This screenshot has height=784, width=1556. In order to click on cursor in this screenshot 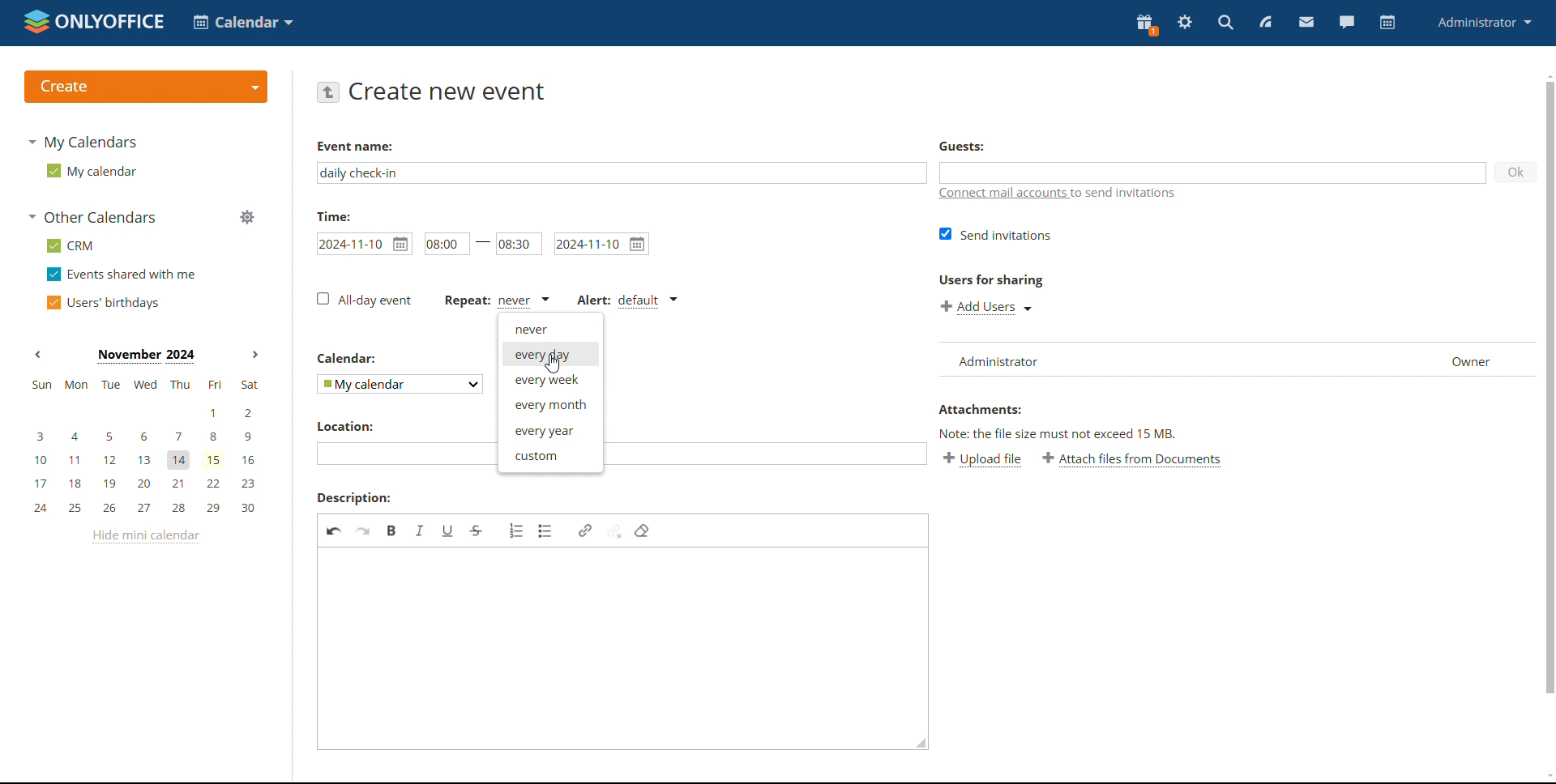, I will do `click(555, 366)`.